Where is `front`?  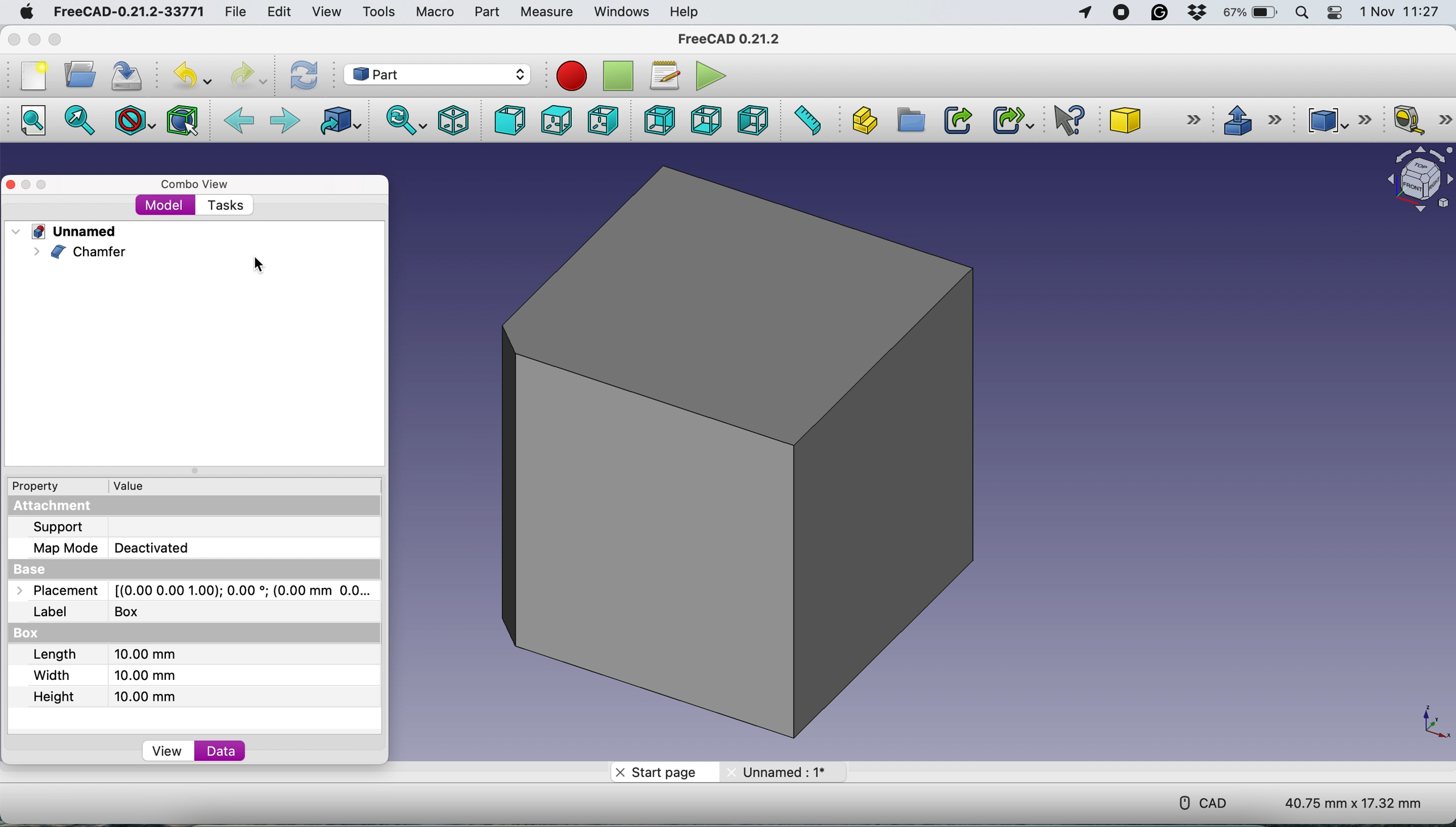
front is located at coordinates (510, 119).